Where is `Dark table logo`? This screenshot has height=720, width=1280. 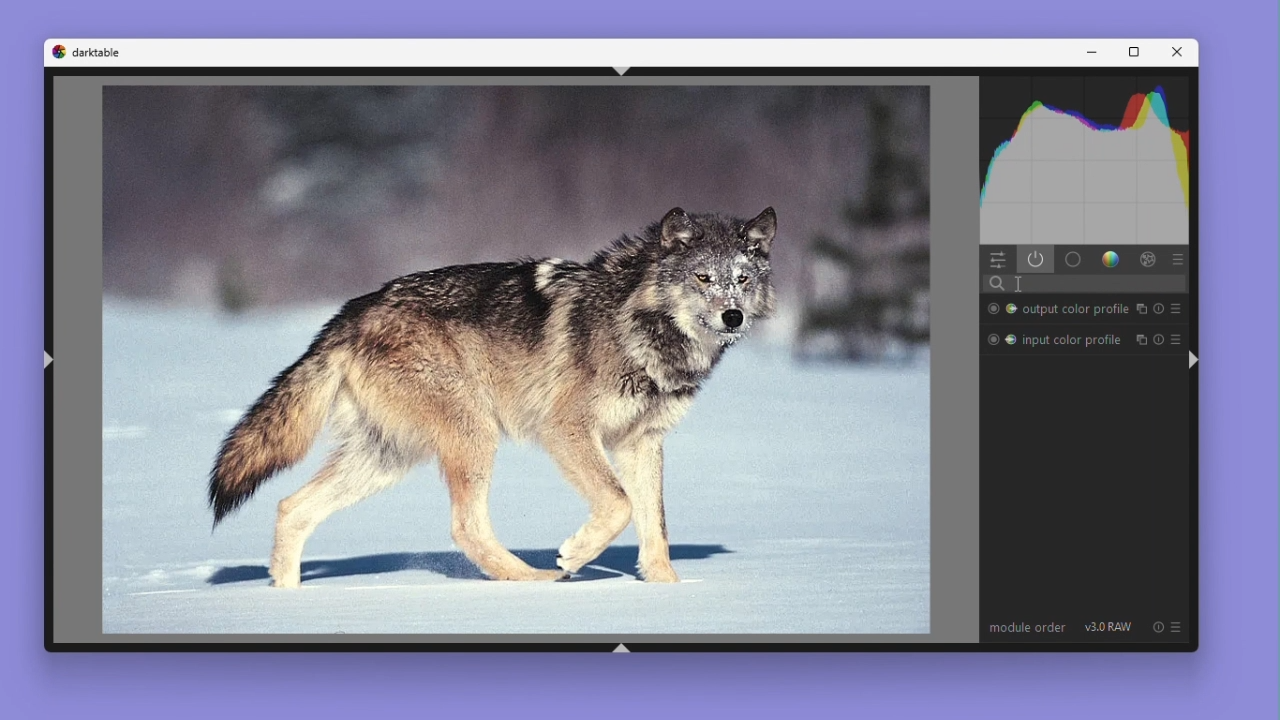 Dark table logo is located at coordinates (87, 52).